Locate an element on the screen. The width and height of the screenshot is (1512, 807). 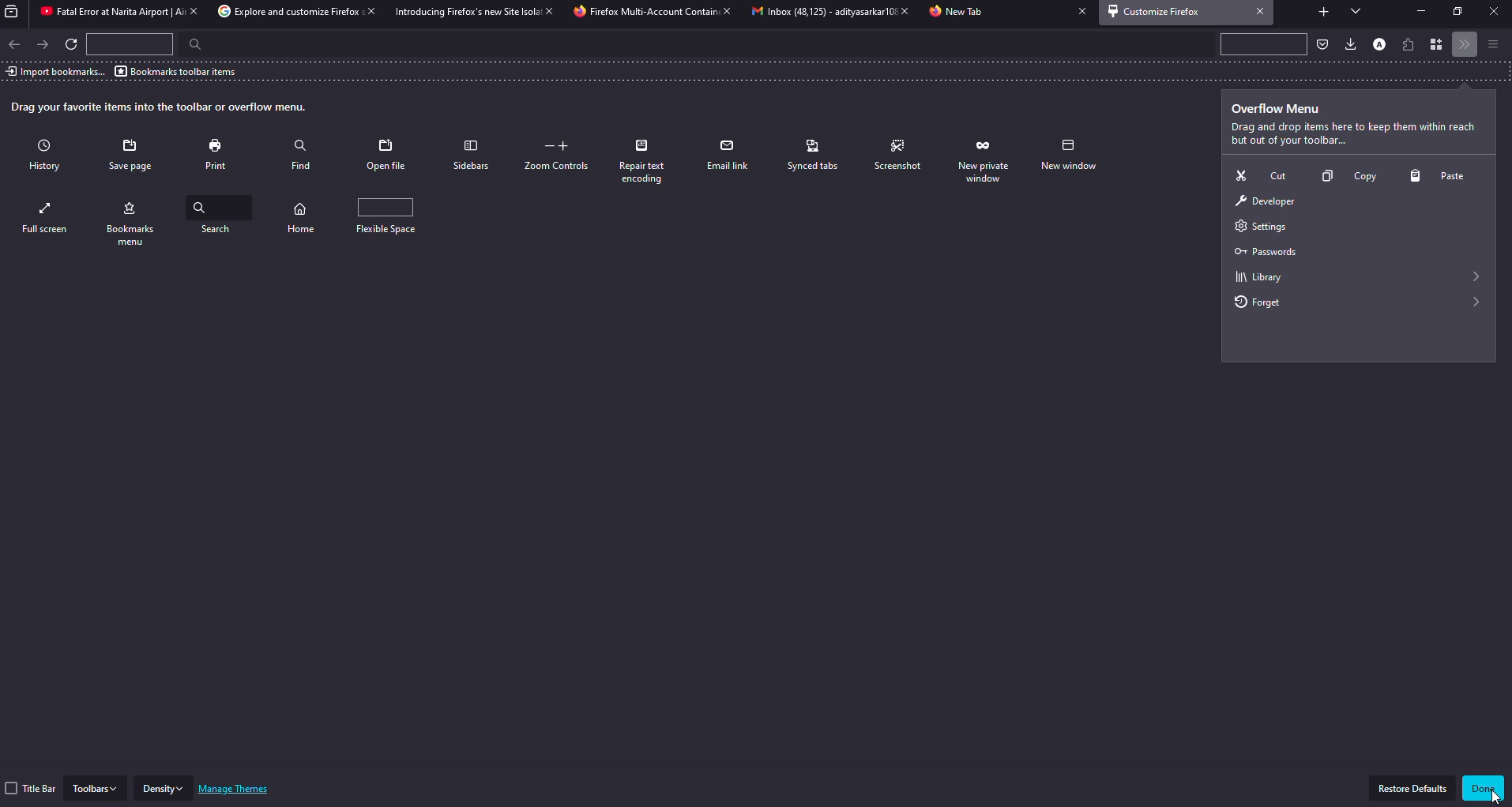
overflow menu is located at coordinates (1279, 109).